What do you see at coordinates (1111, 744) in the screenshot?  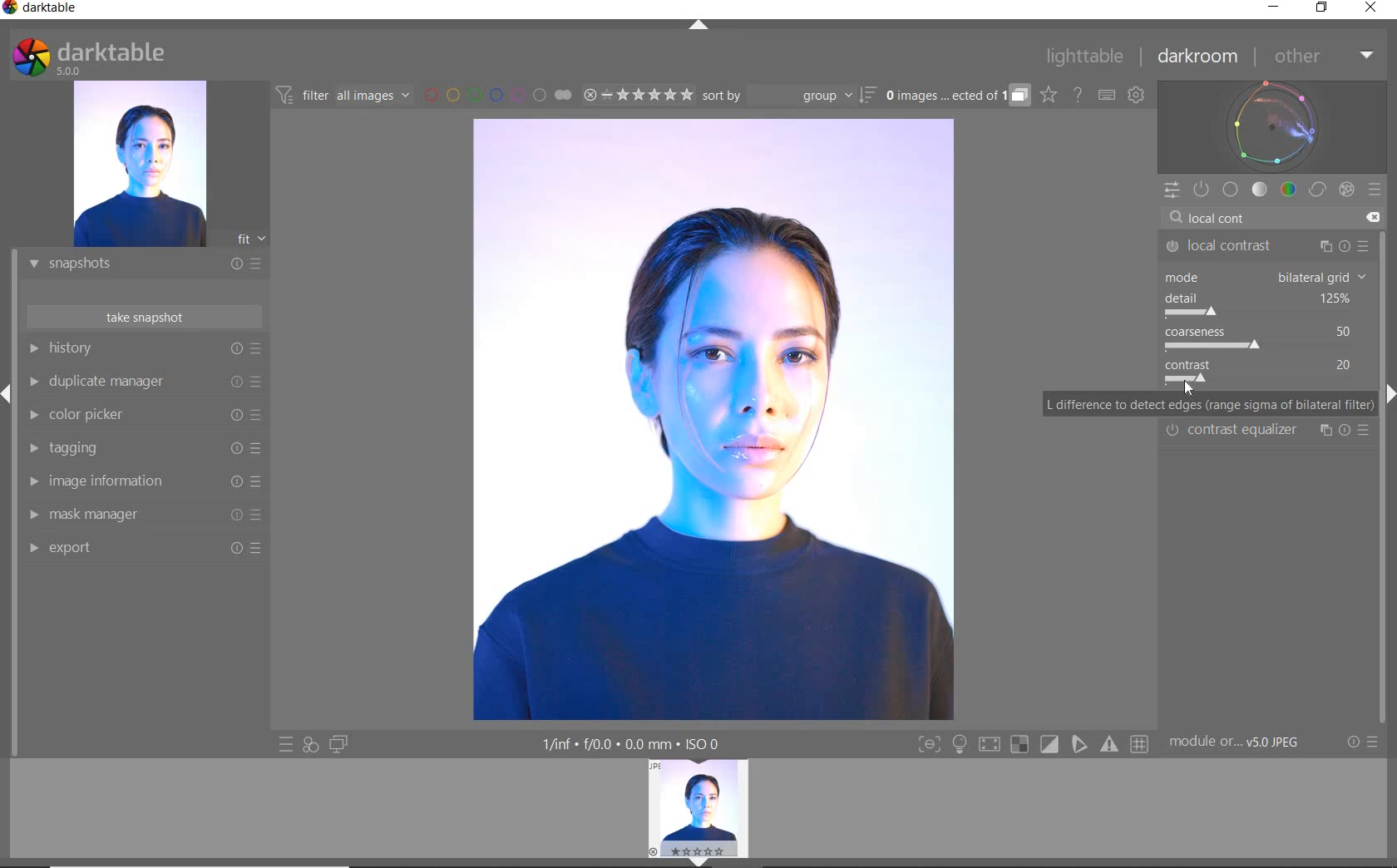 I see `Button` at bounding box center [1111, 744].